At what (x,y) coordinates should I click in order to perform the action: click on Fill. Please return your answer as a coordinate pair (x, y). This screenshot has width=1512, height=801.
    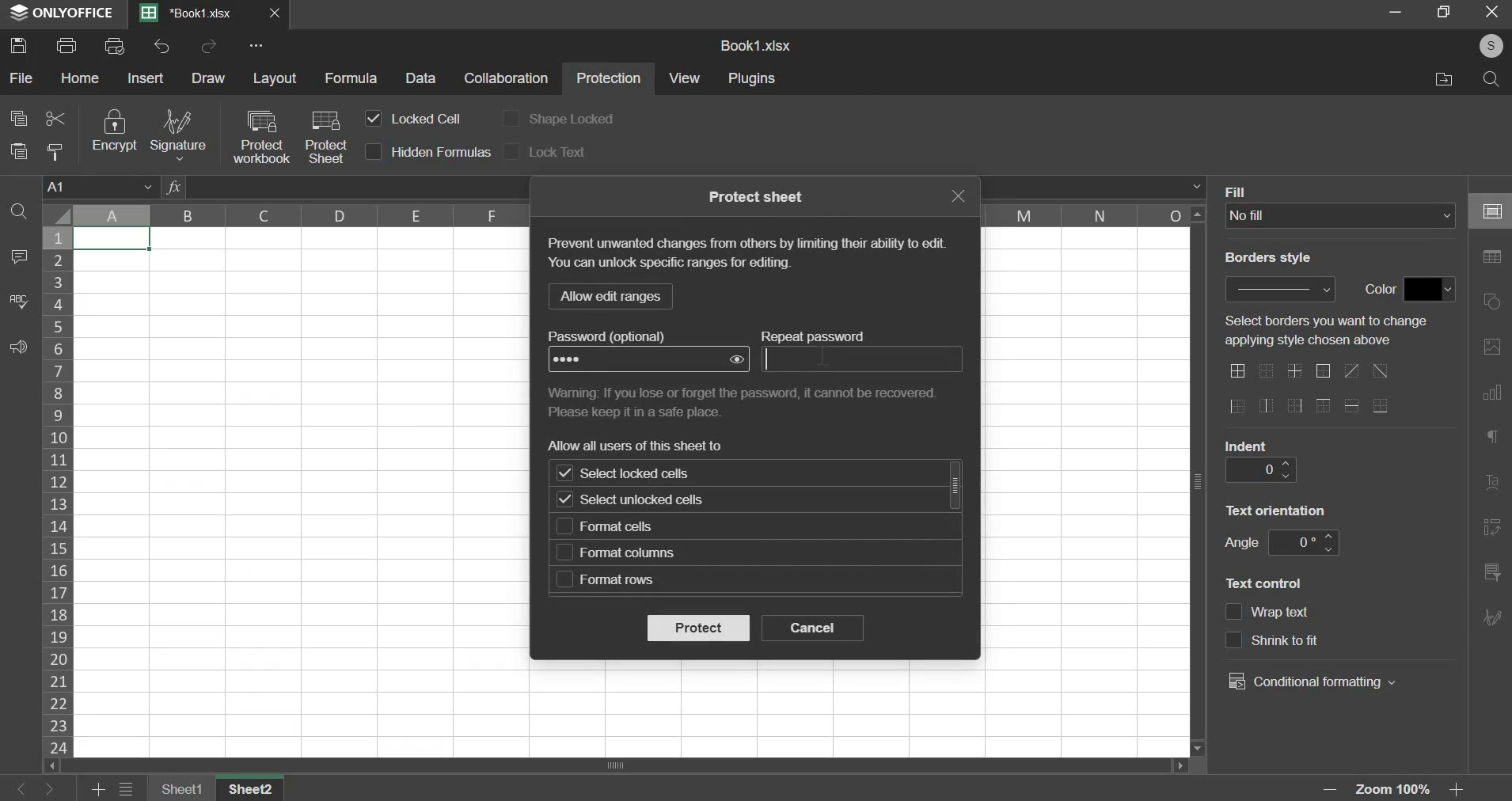
    Looking at the image, I should click on (1239, 191).